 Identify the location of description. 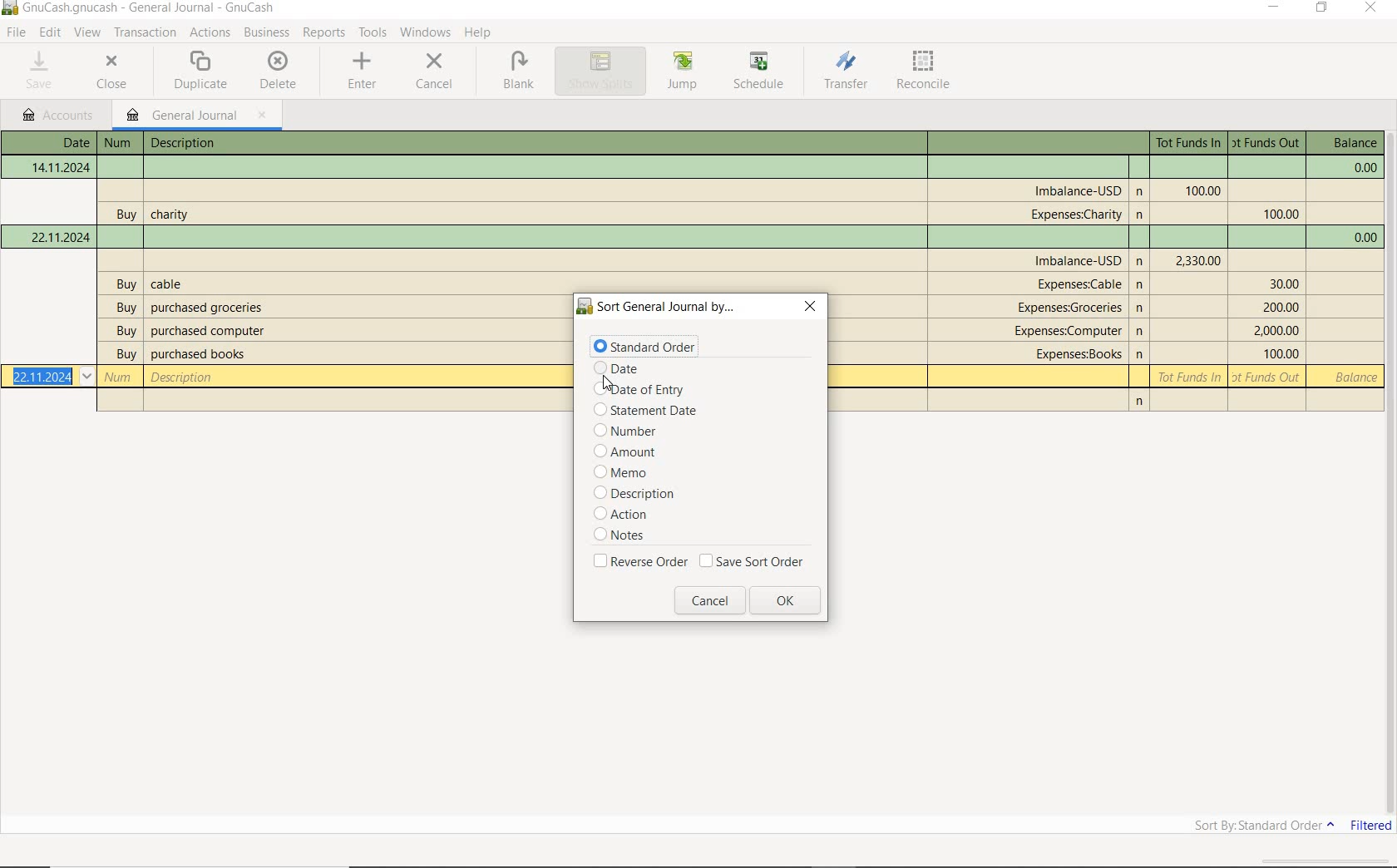
(208, 332).